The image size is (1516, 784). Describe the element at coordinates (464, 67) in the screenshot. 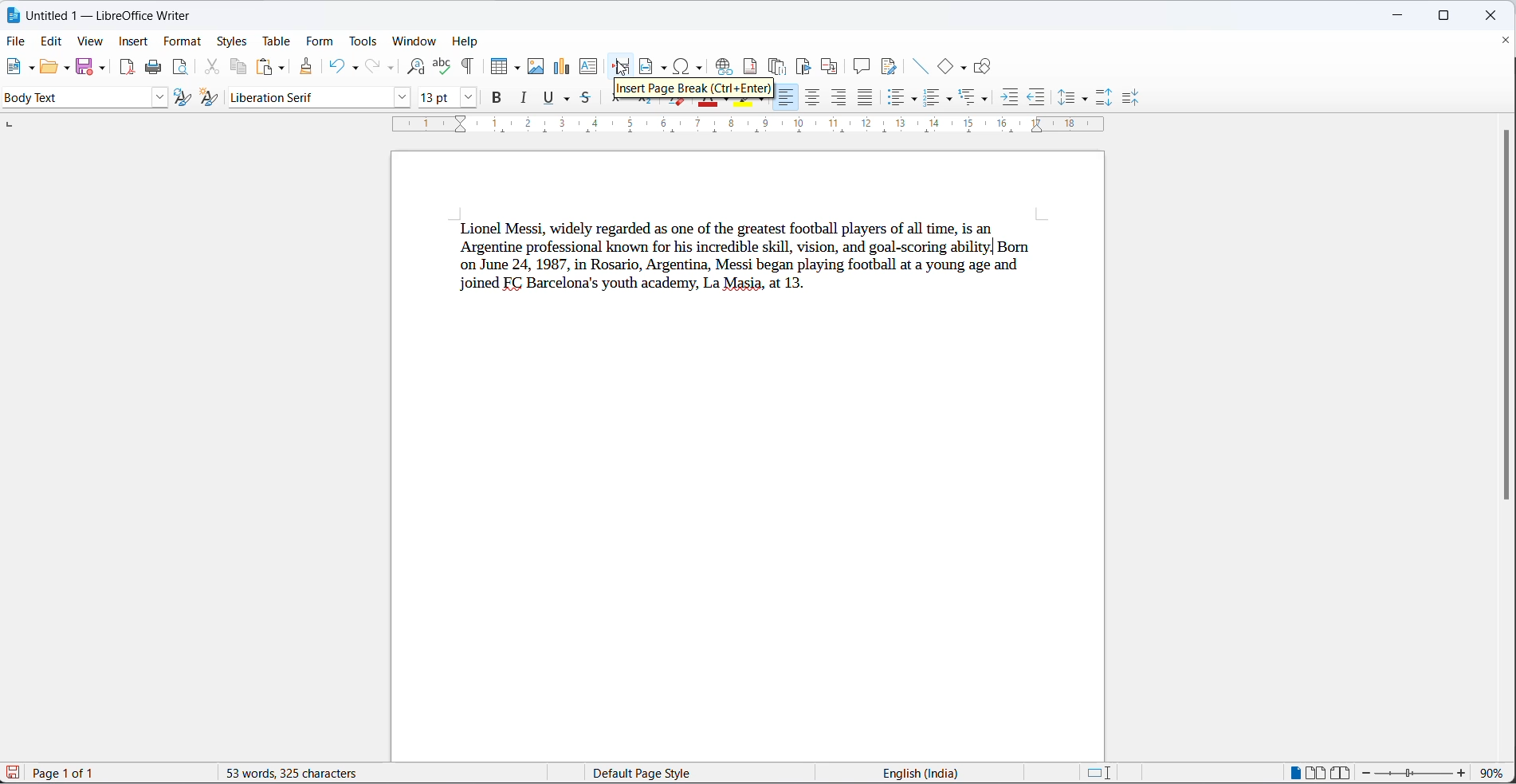

I see `toggle formatting marks` at that location.